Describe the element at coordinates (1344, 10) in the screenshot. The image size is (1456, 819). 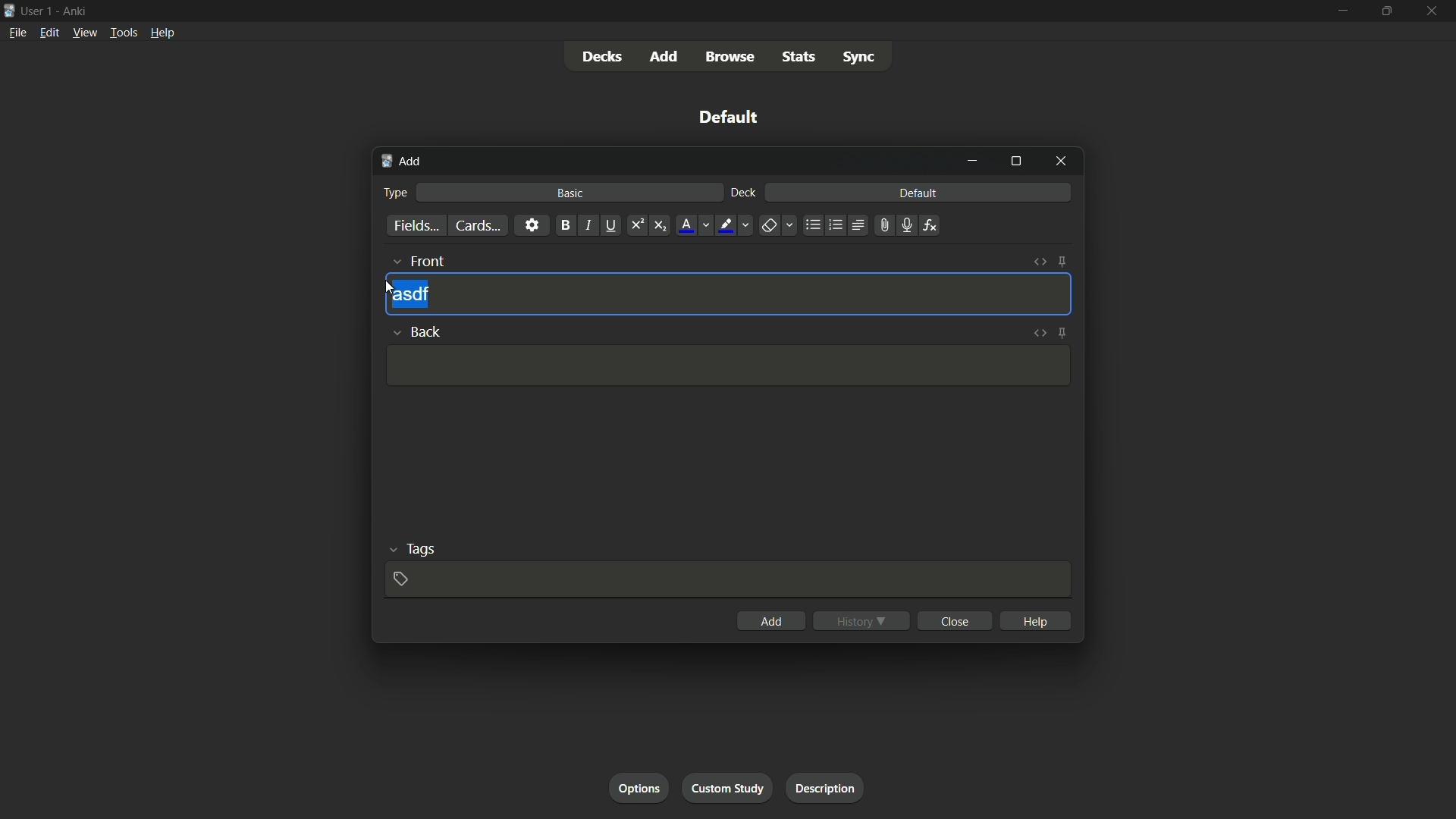
I see `minimize` at that location.